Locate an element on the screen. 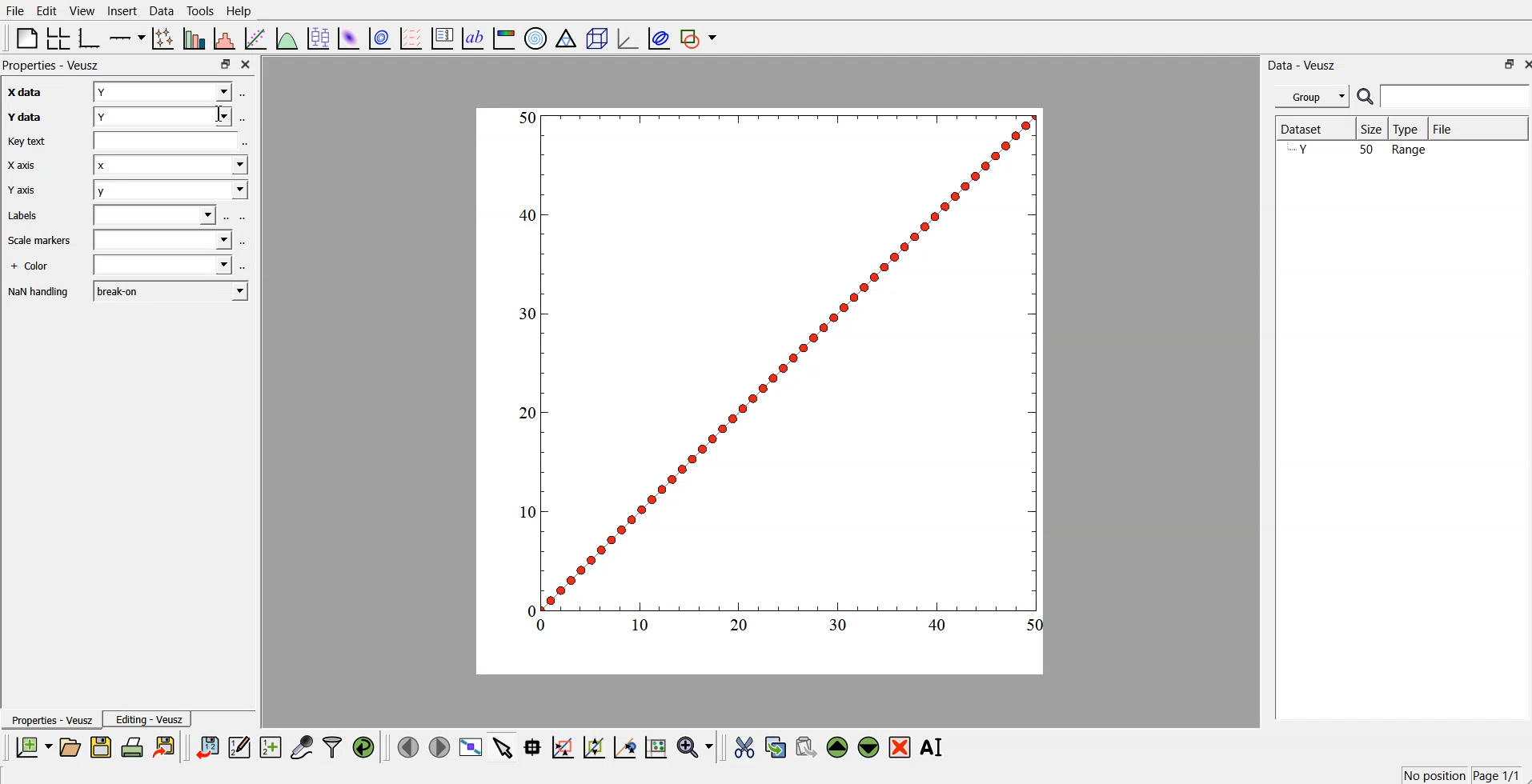  Add an axis is located at coordinates (128, 37).